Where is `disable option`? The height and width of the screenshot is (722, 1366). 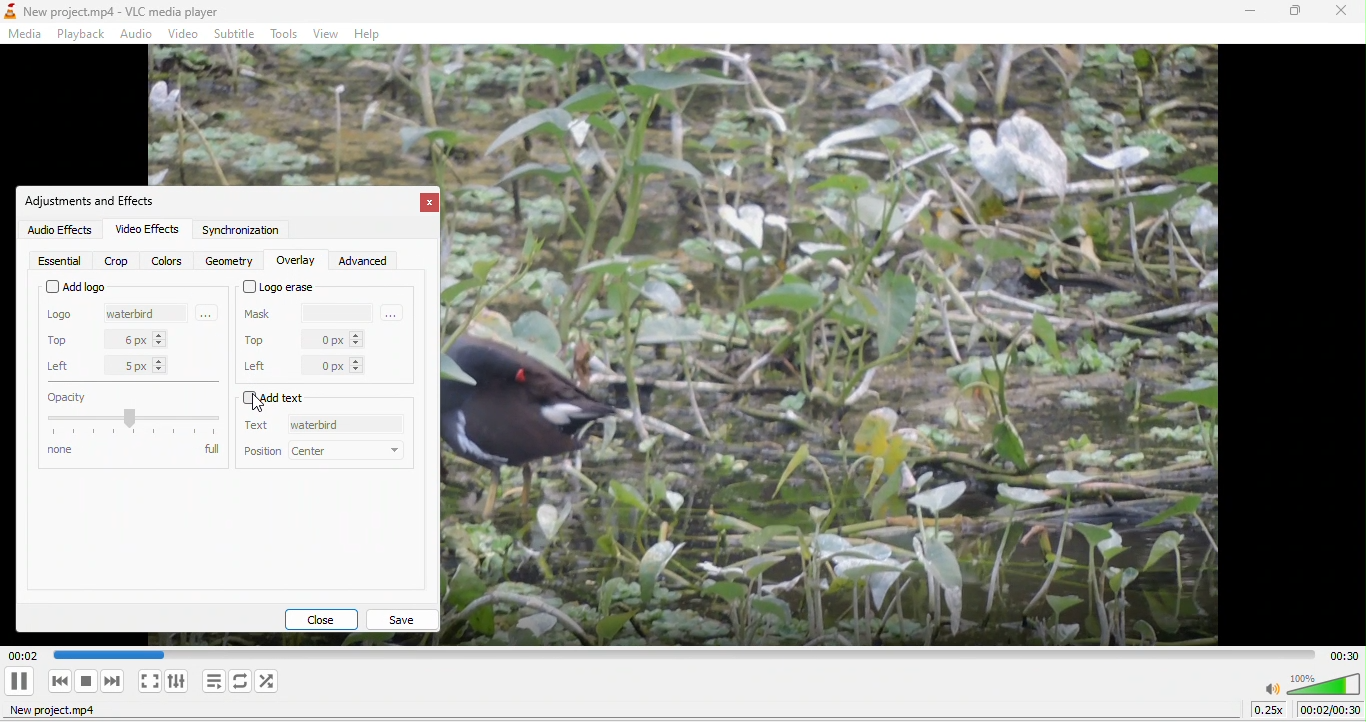 disable option is located at coordinates (295, 398).